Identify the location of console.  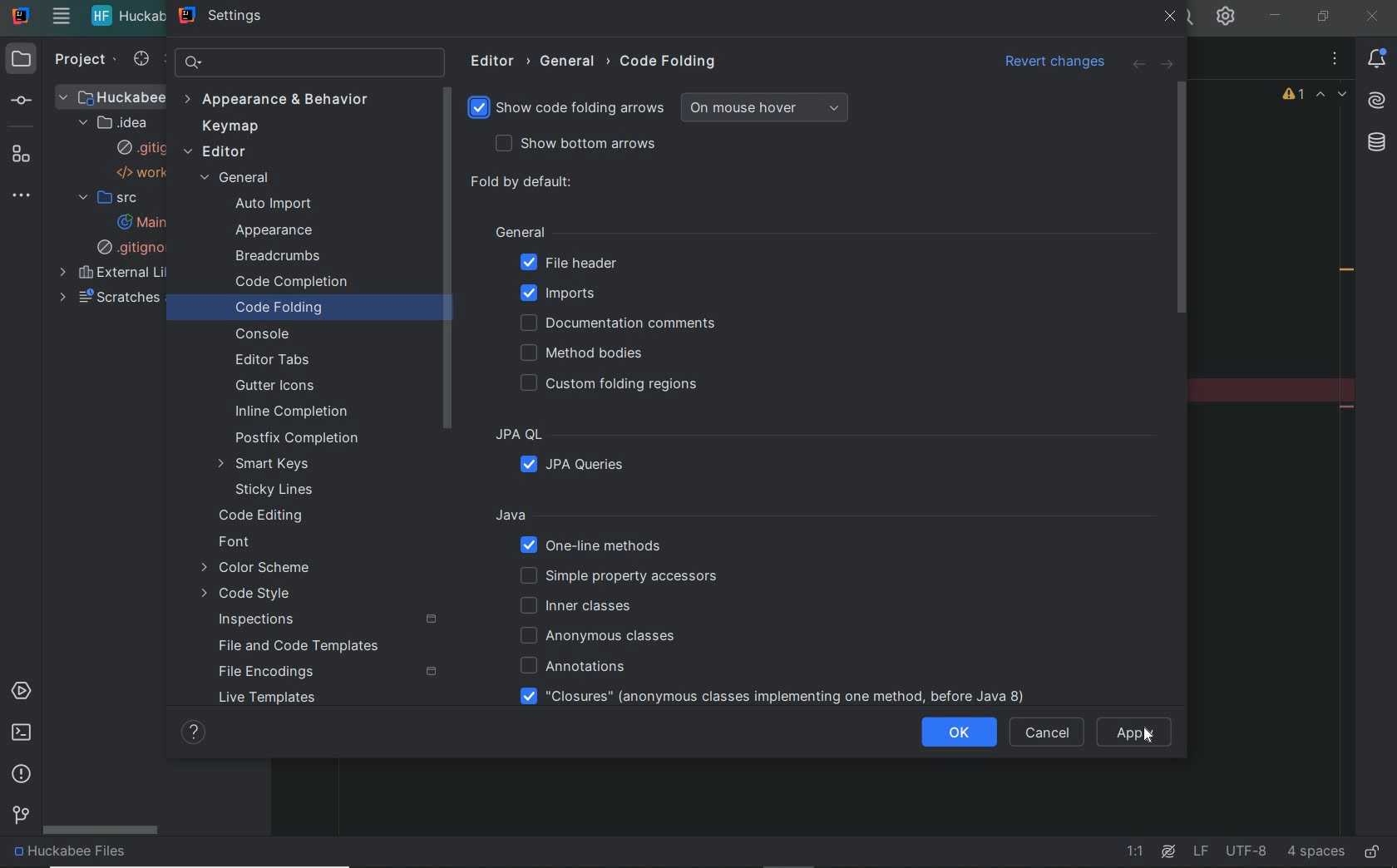
(259, 335).